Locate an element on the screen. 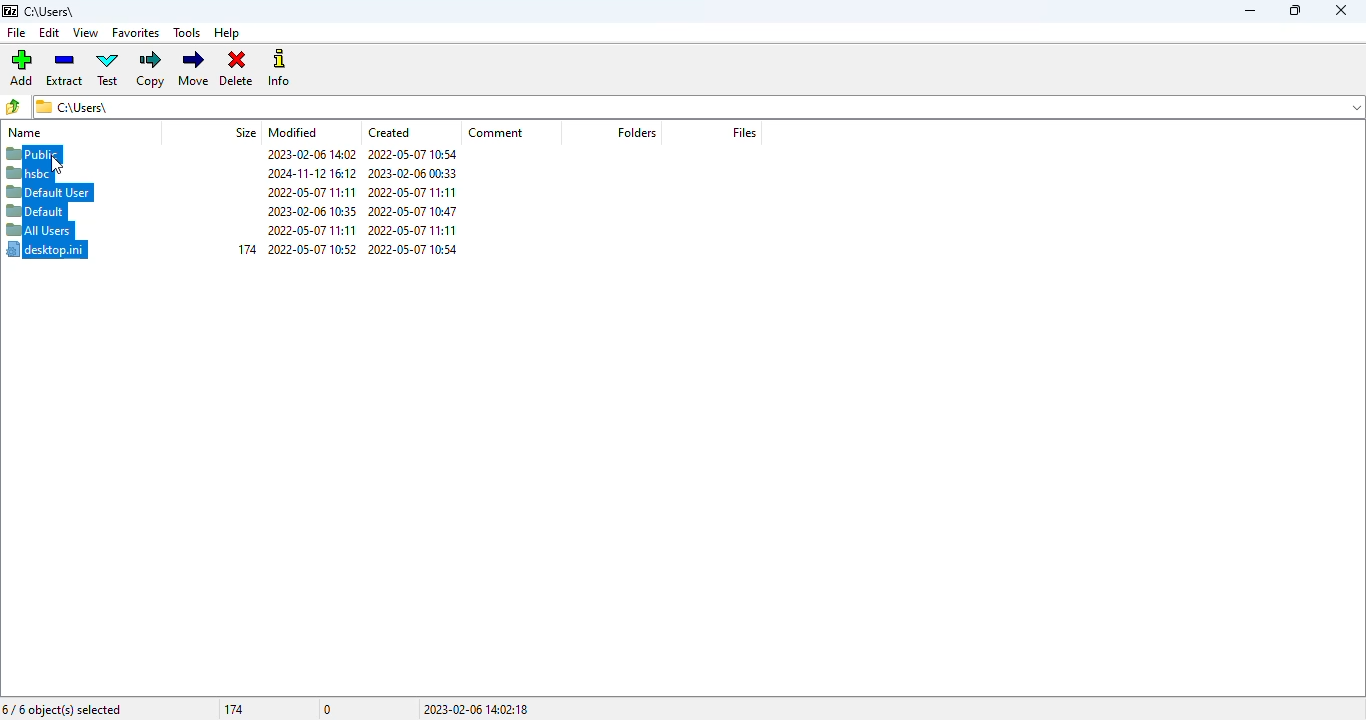  name is located at coordinates (24, 132).